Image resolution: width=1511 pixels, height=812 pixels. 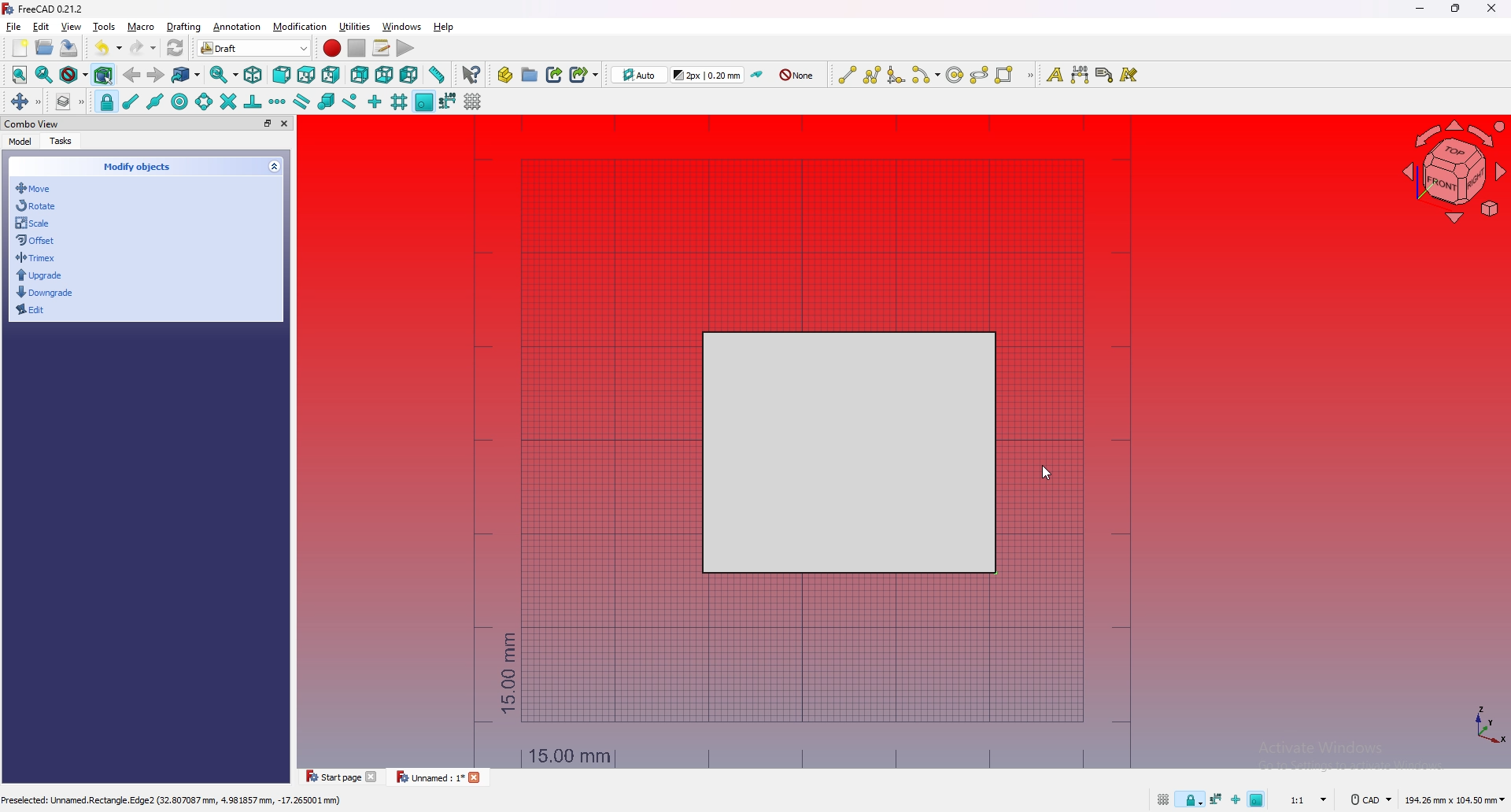 What do you see at coordinates (147, 164) in the screenshot?
I see `modify objects` at bounding box center [147, 164].